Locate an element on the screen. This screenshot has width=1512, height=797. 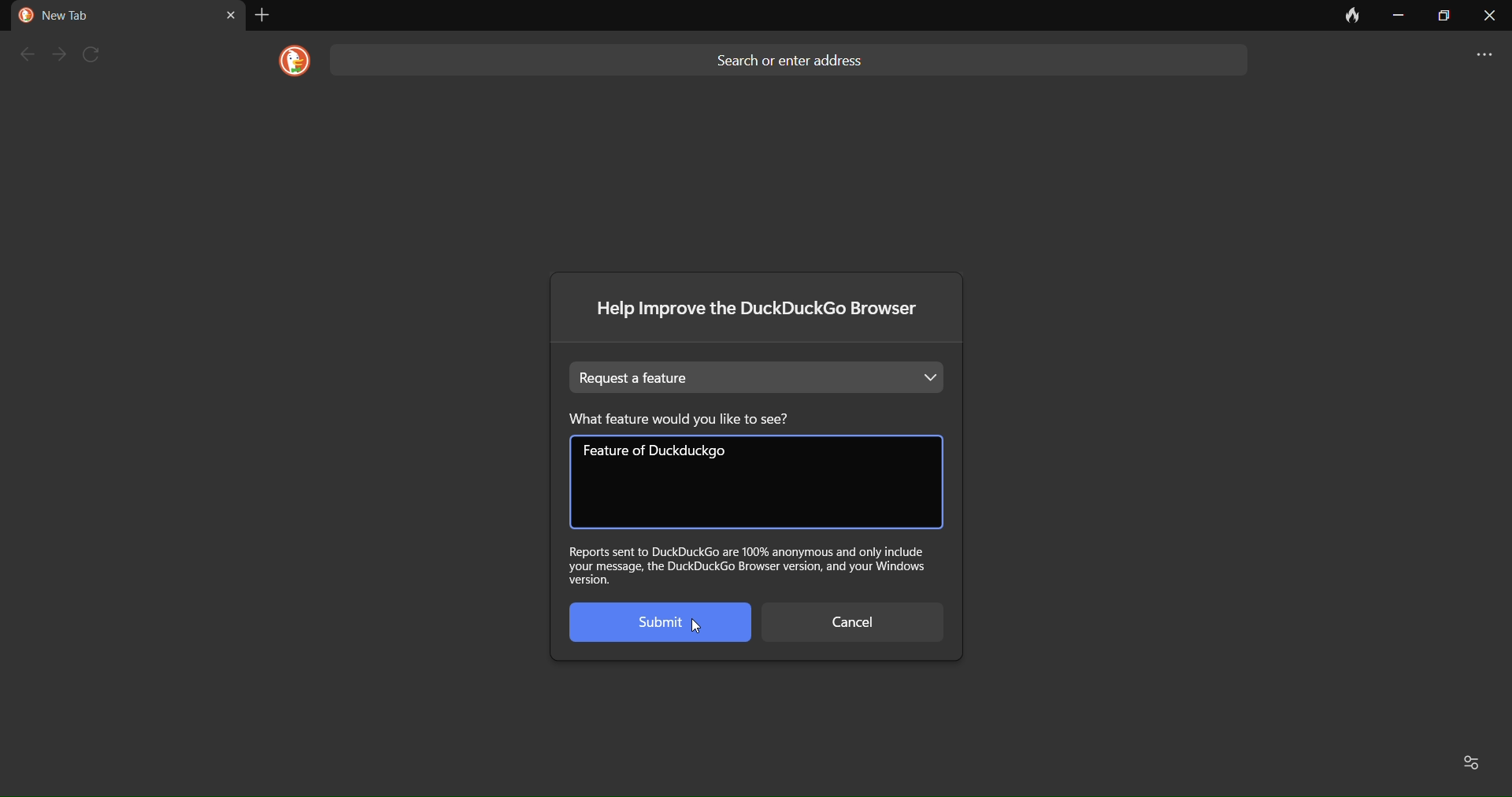
close tab is located at coordinates (230, 14).